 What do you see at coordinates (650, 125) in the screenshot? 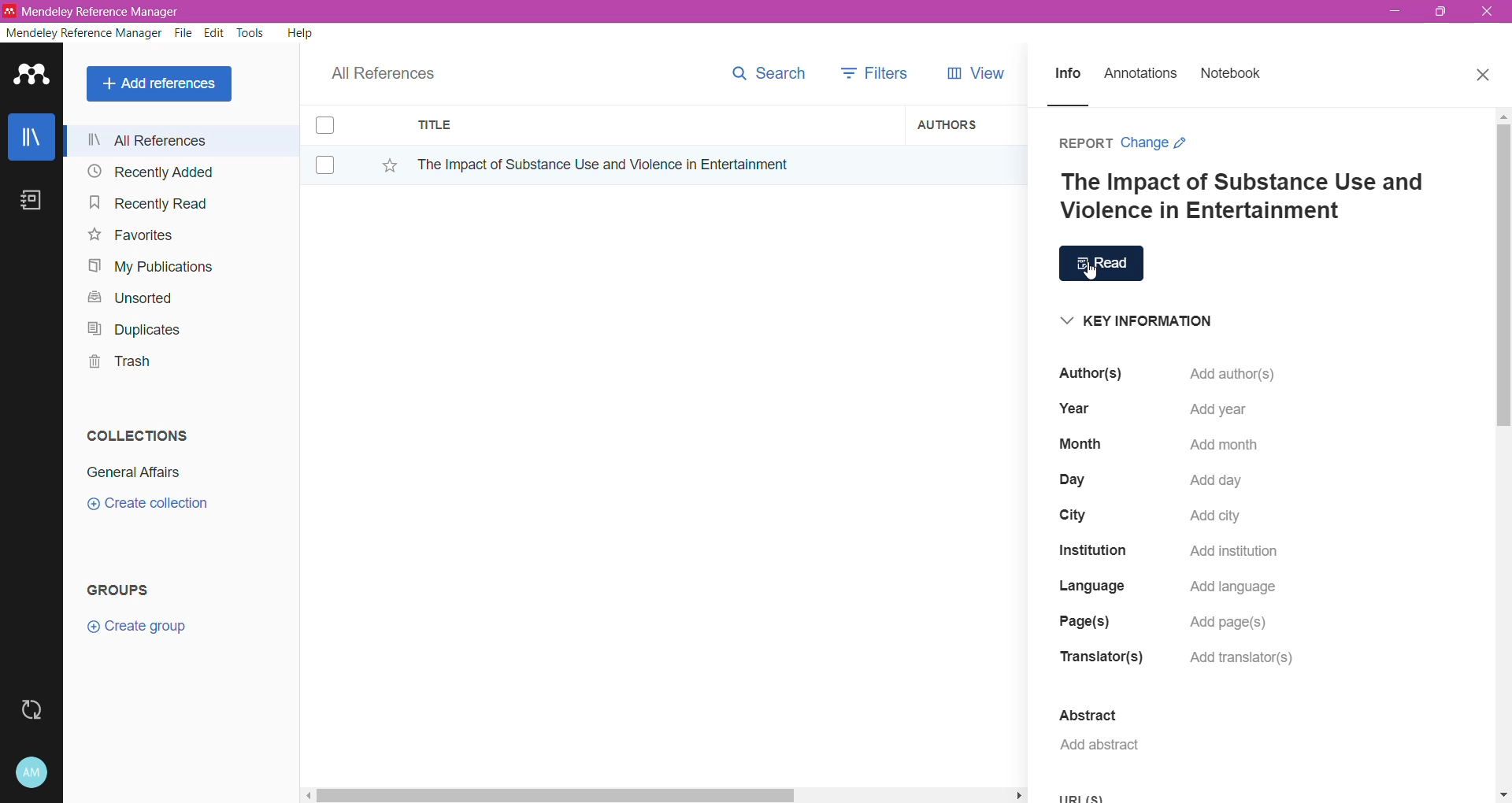
I see `Title` at bounding box center [650, 125].